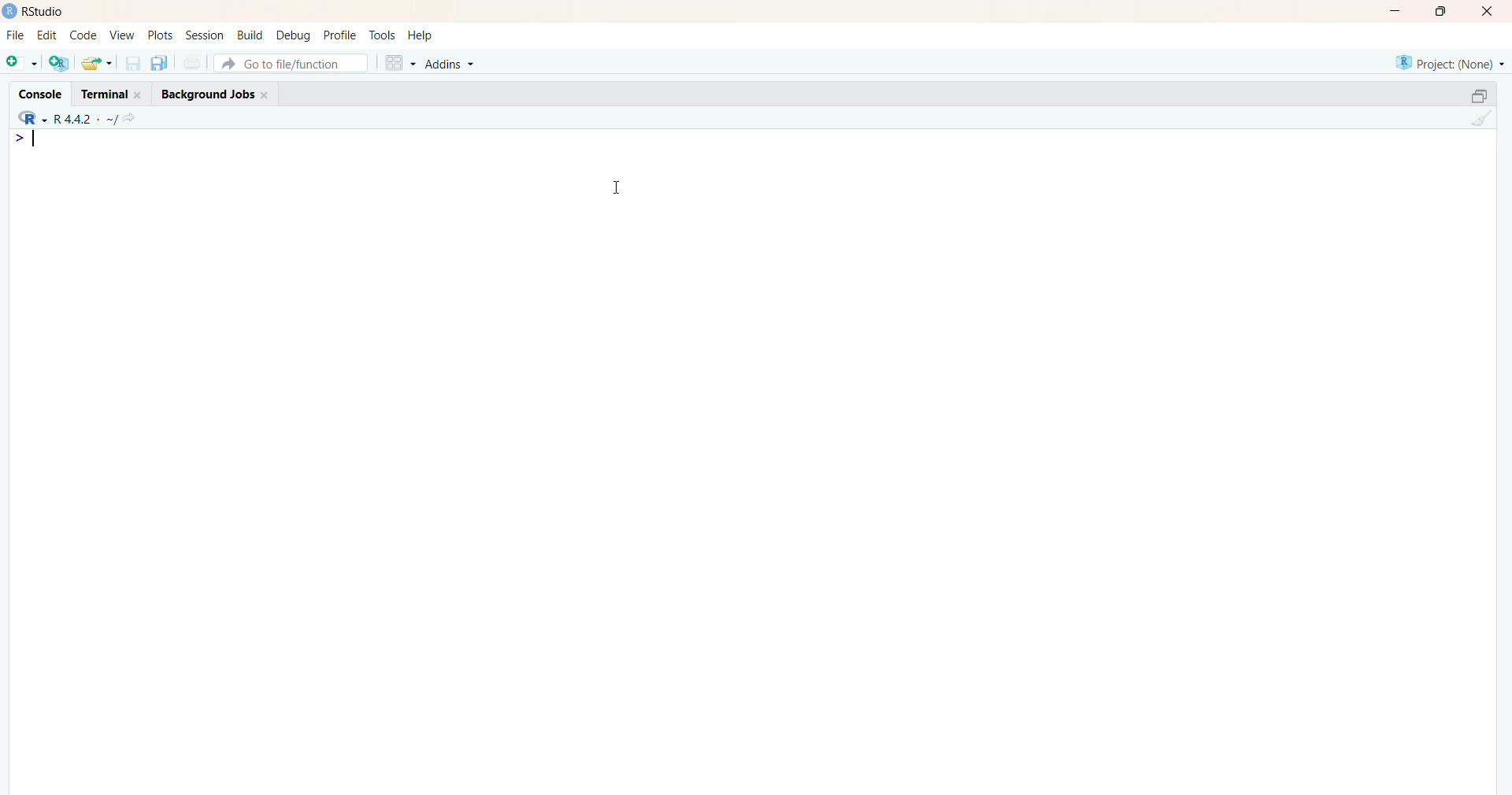 This screenshot has height=795, width=1512. What do you see at coordinates (215, 94) in the screenshot?
I see `background jobs` at bounding box center [215, 94].